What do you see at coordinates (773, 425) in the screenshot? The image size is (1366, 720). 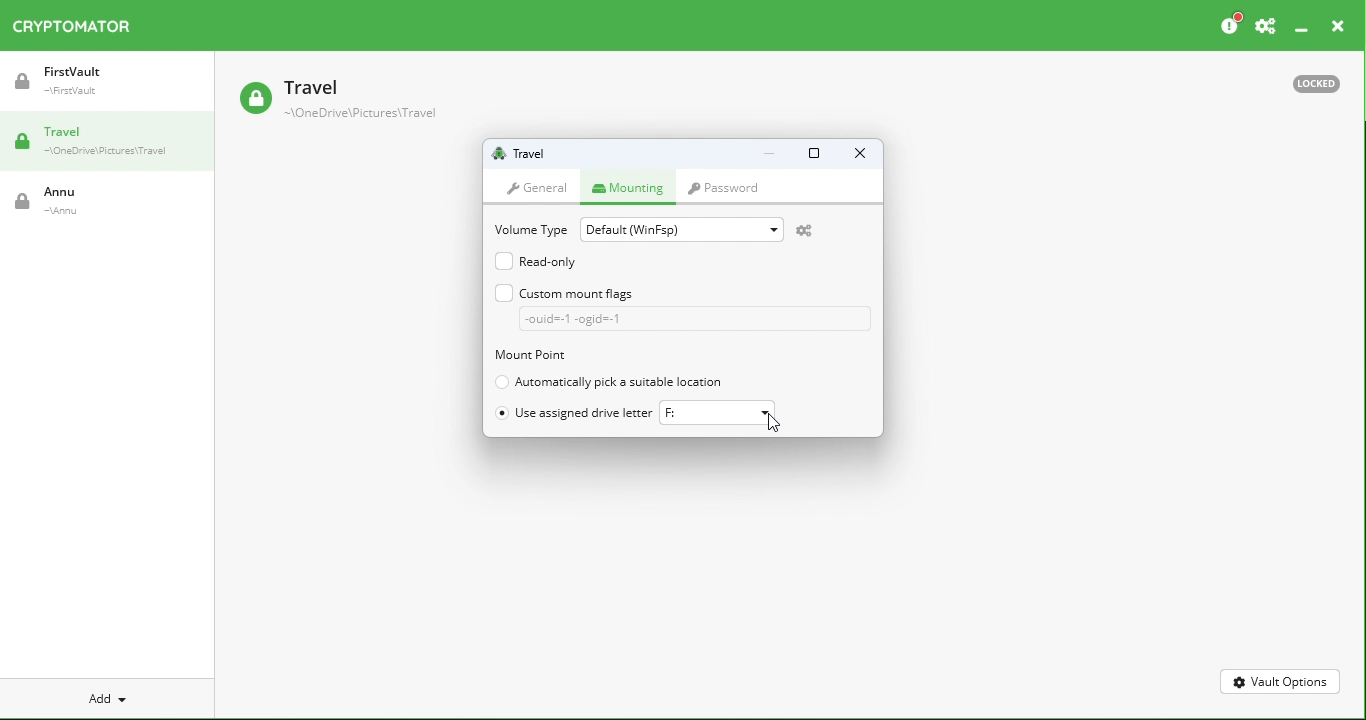 I see `cursor` at bounding box center [773, 425].